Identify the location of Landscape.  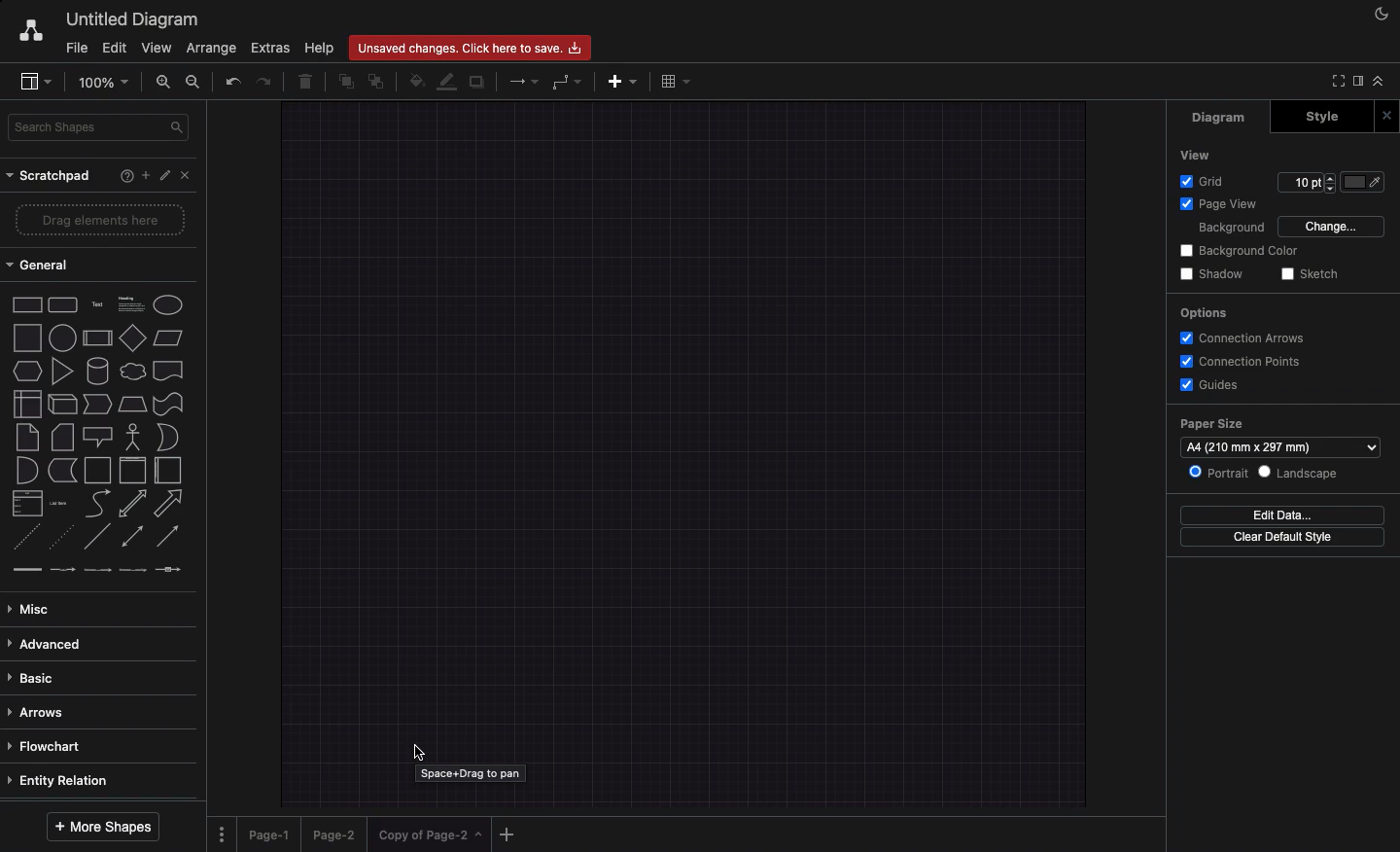
(1299, 473).